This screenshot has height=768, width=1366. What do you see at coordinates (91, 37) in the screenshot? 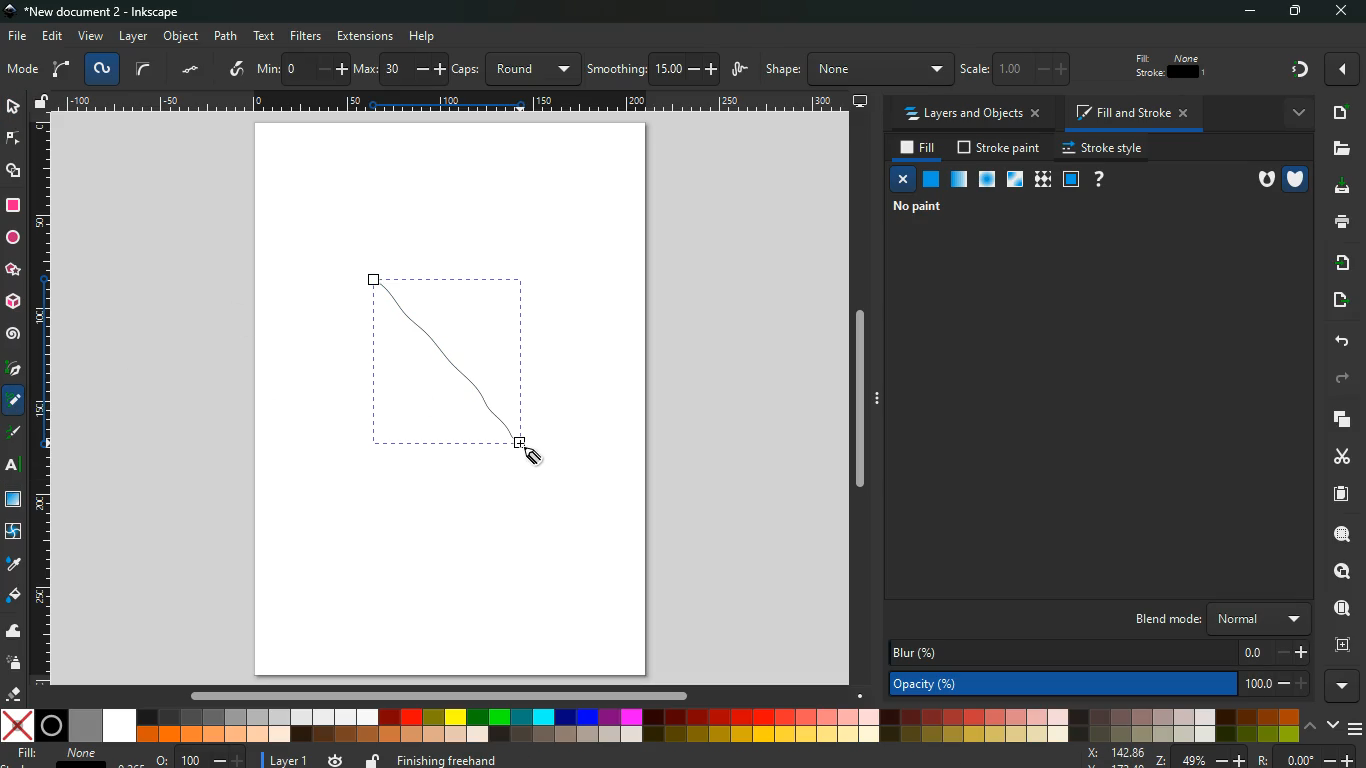
I see `view` at bounding box center [91, 37].